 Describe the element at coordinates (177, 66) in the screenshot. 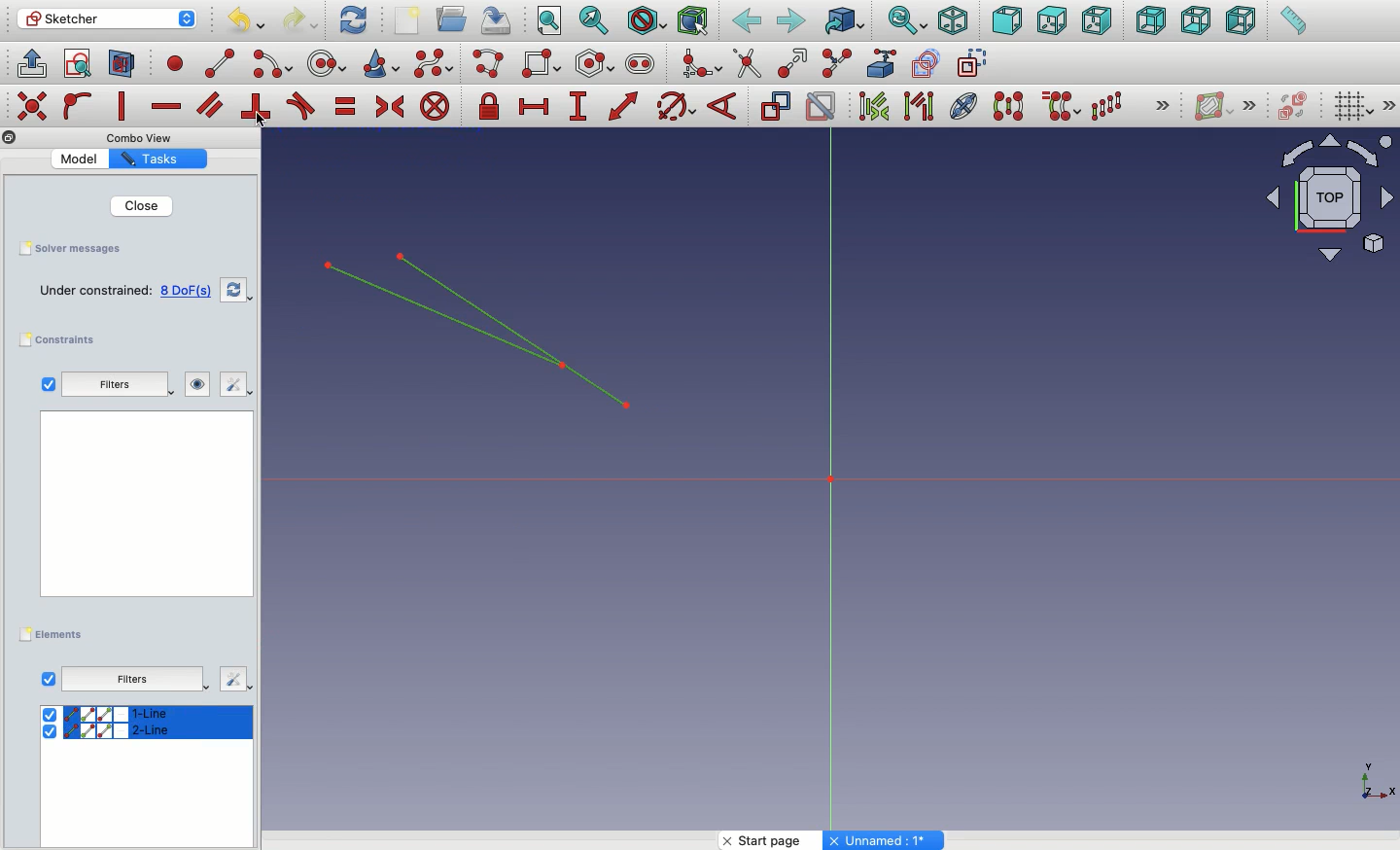

I see `point` at that location.